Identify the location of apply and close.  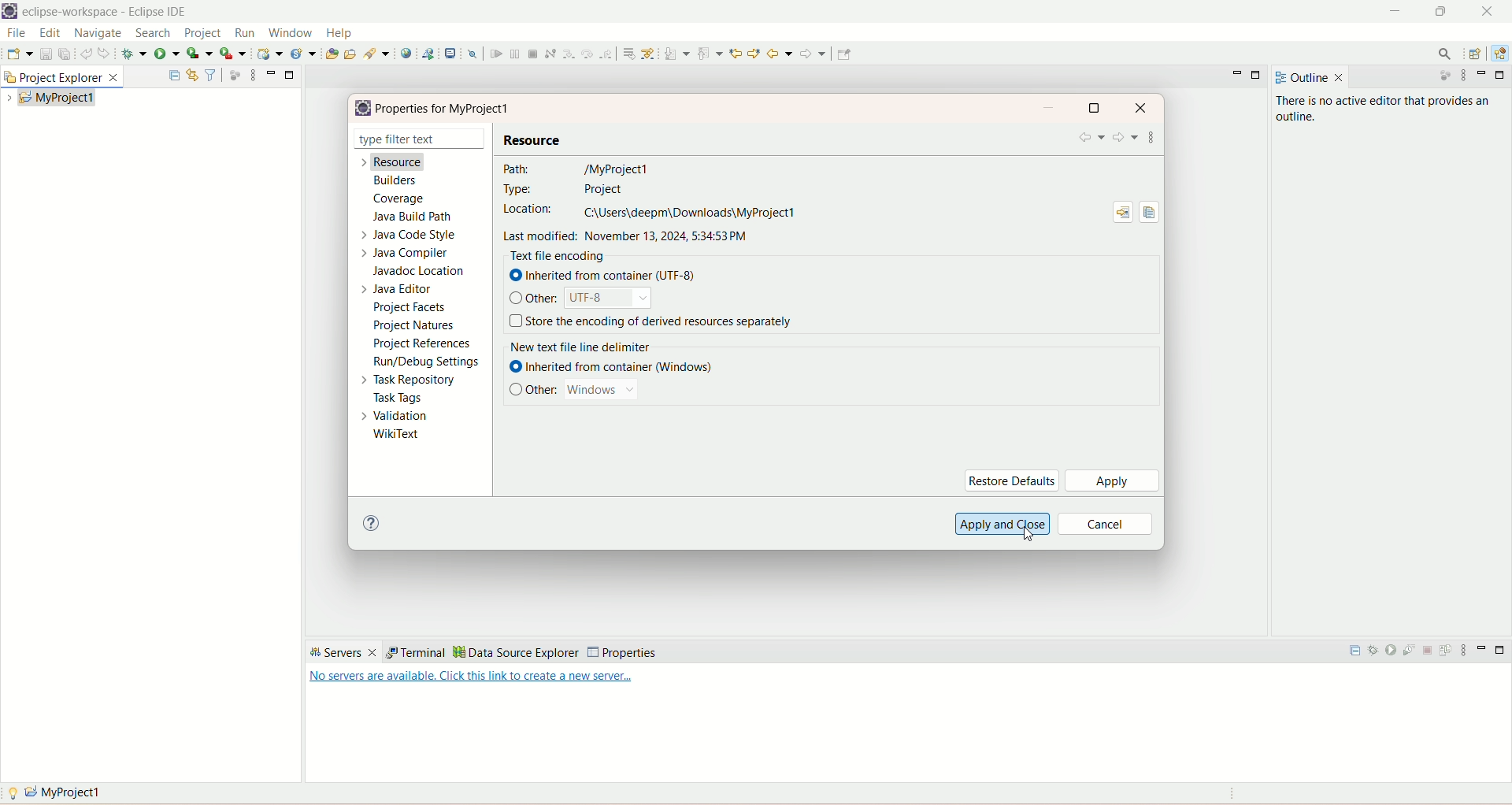
(1001, 523).